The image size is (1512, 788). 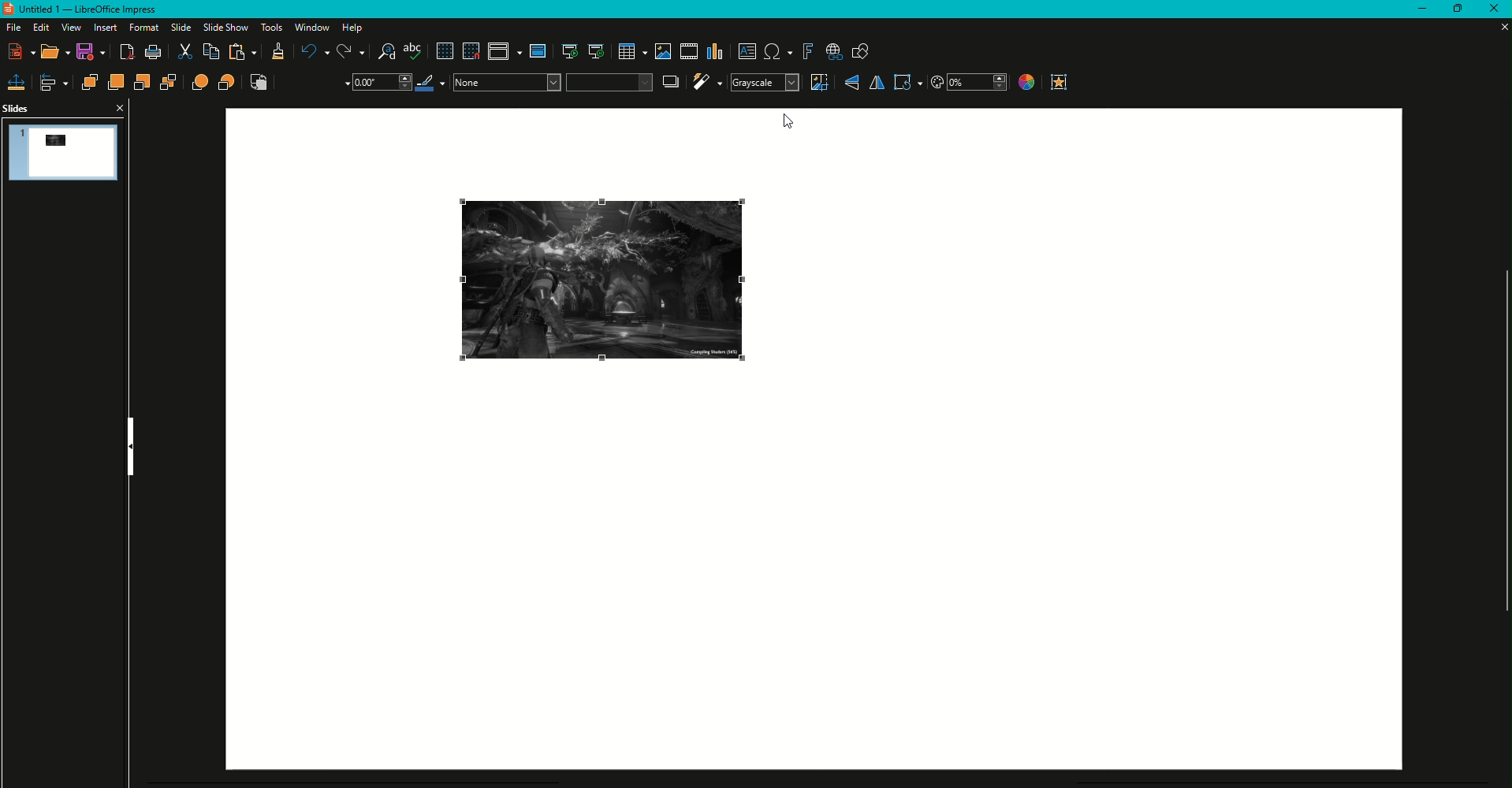 I want to click on Snap to Grid, so click(x=471, y=51).